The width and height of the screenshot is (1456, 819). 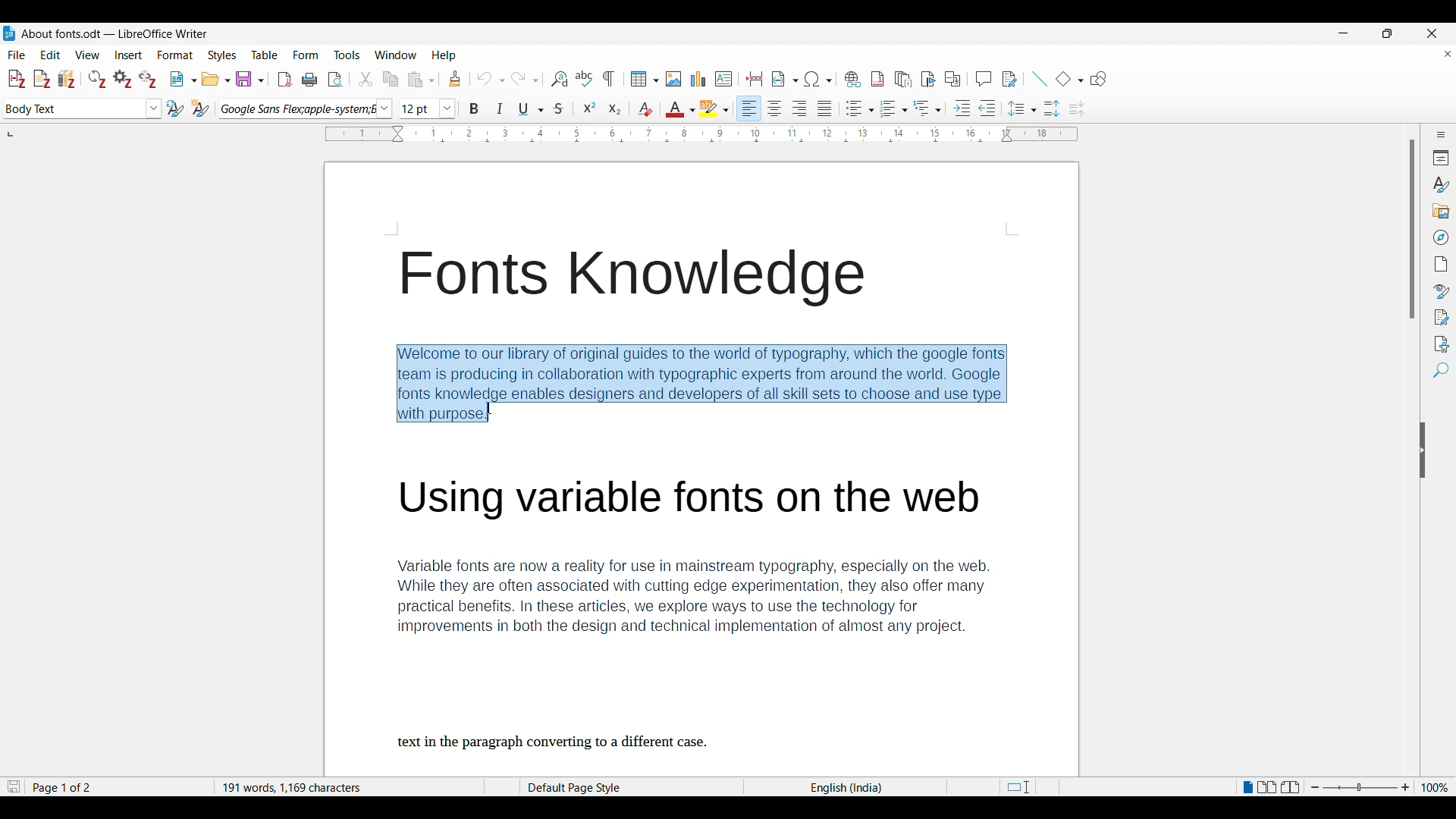 What do you see at coordinates (560, 80) in the screenshot?
I see `Find and replace` at bounding box center [560, 80].